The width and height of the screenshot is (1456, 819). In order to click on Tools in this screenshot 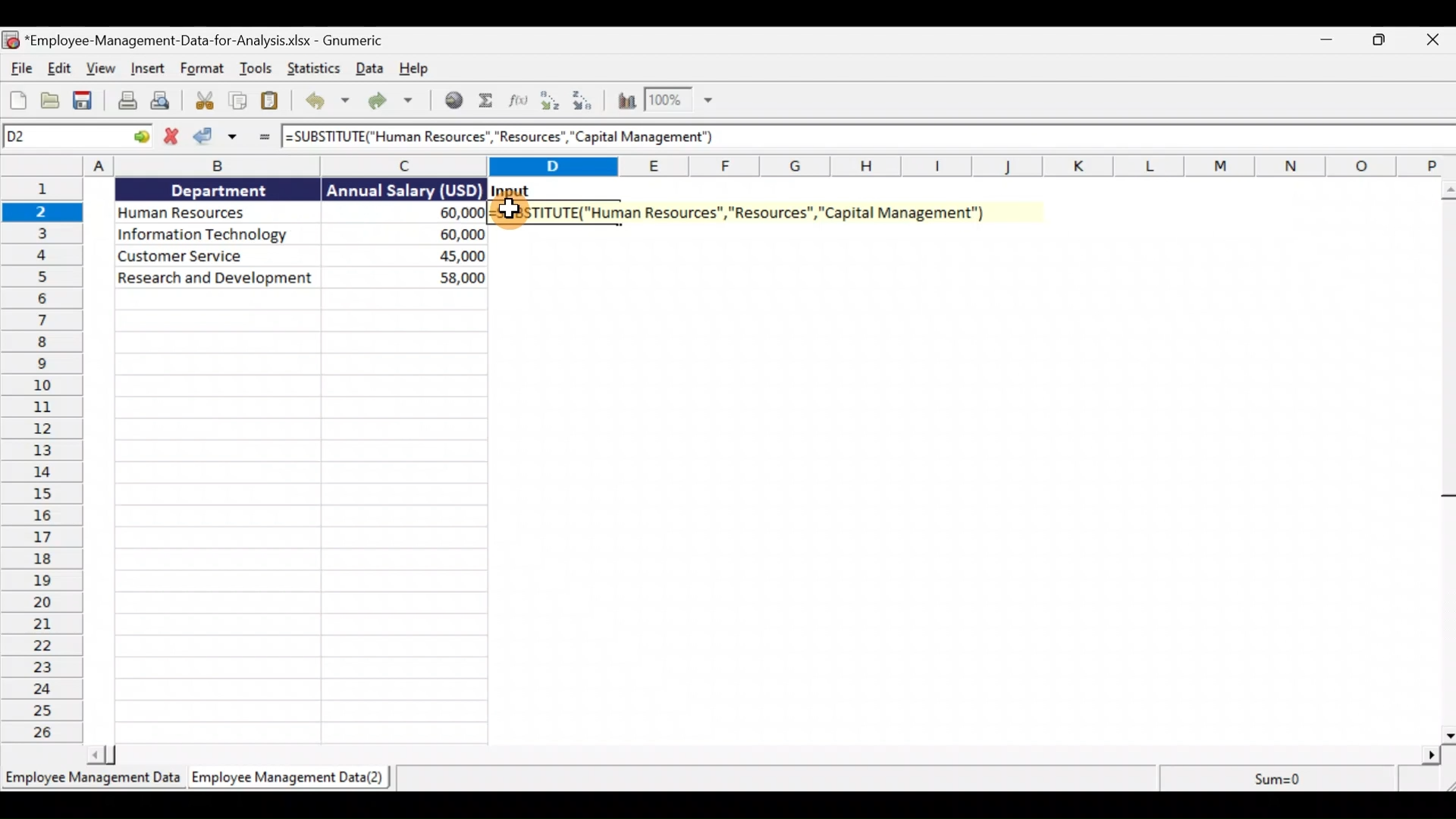, I will do `click(258, 68)`.